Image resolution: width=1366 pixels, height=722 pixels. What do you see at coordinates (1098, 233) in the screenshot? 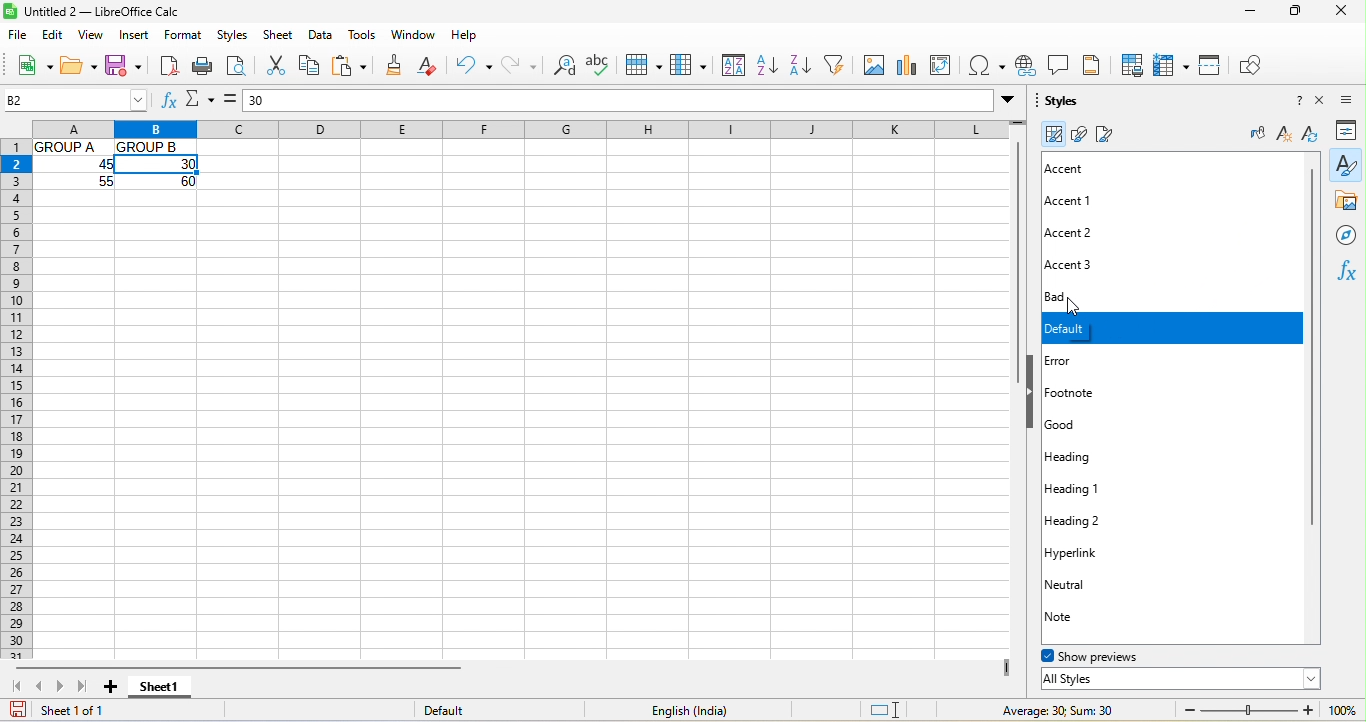
I see `accent 2` at bounding box center [1098, 233].